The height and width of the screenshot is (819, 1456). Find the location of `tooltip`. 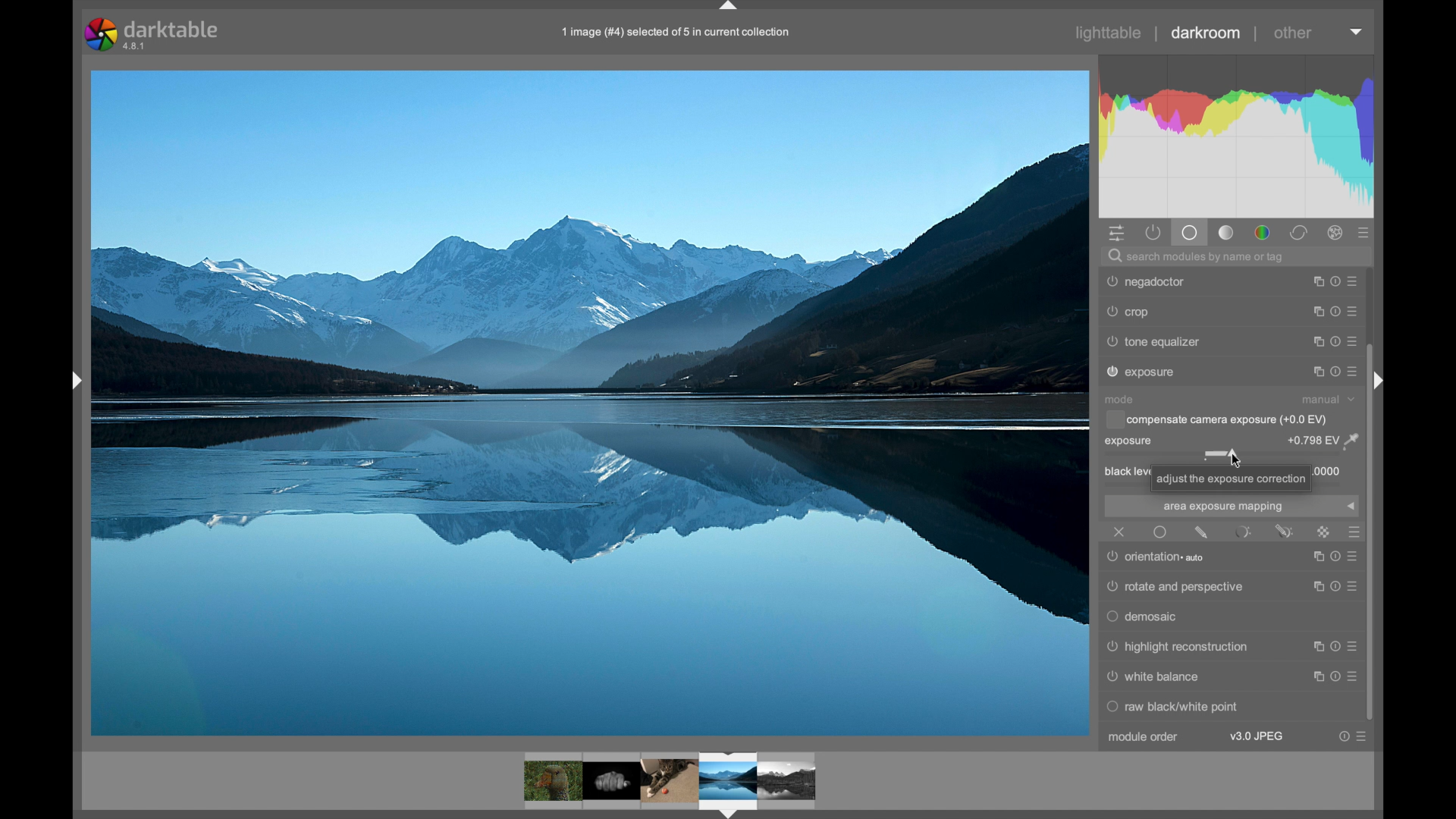

tooltip is located at coordinates (1231, 479).